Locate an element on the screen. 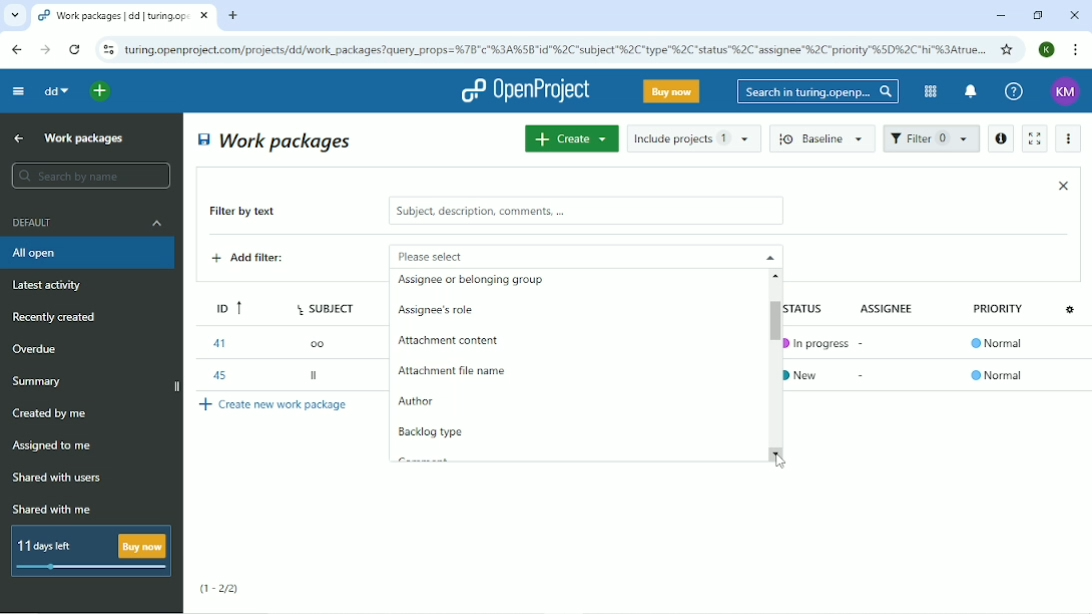 The image size is (1092, 614). Open quick add menu is located at coordinates (101, 91).